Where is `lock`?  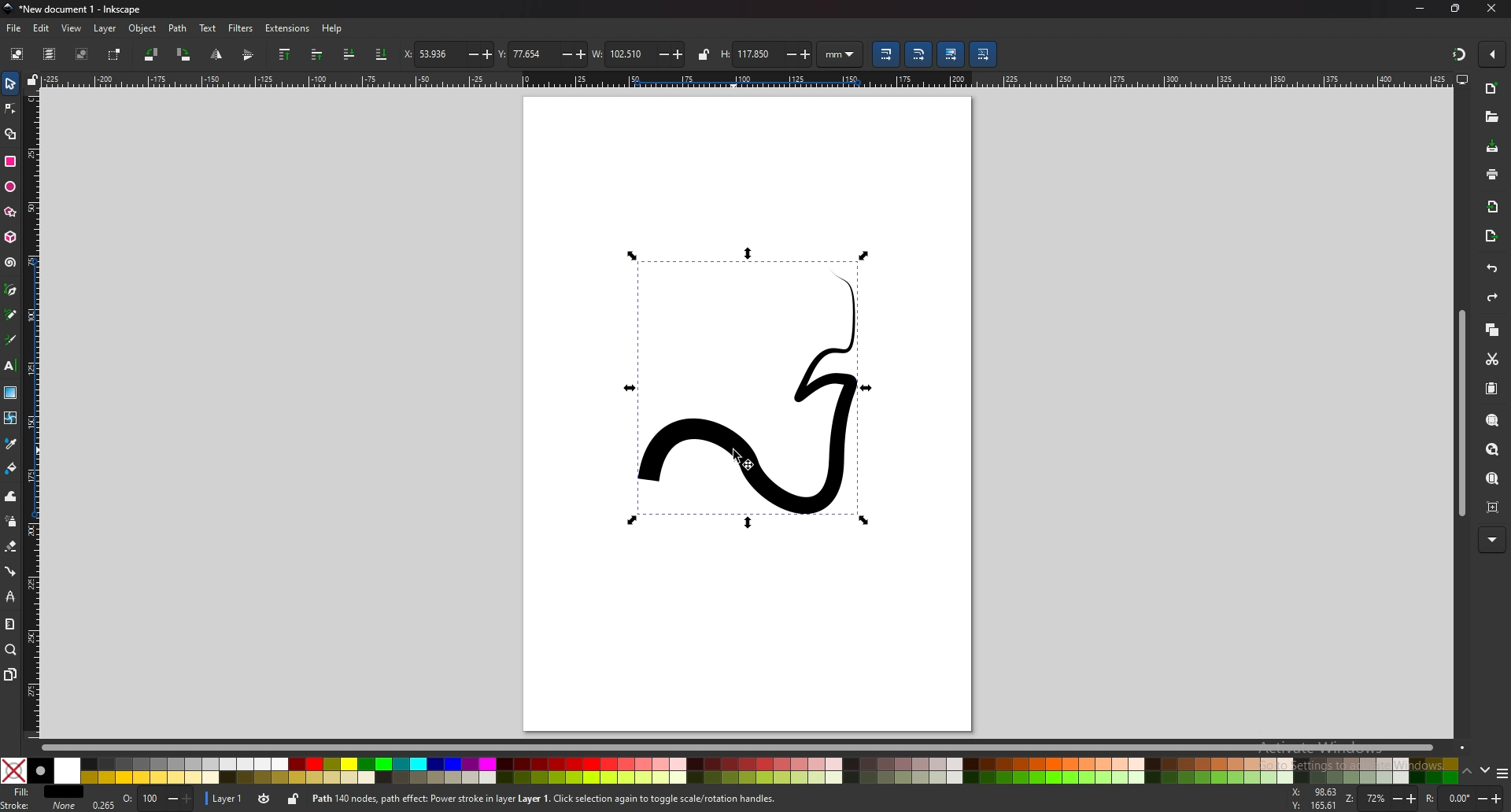
lock is located at coordinates (703, 54).